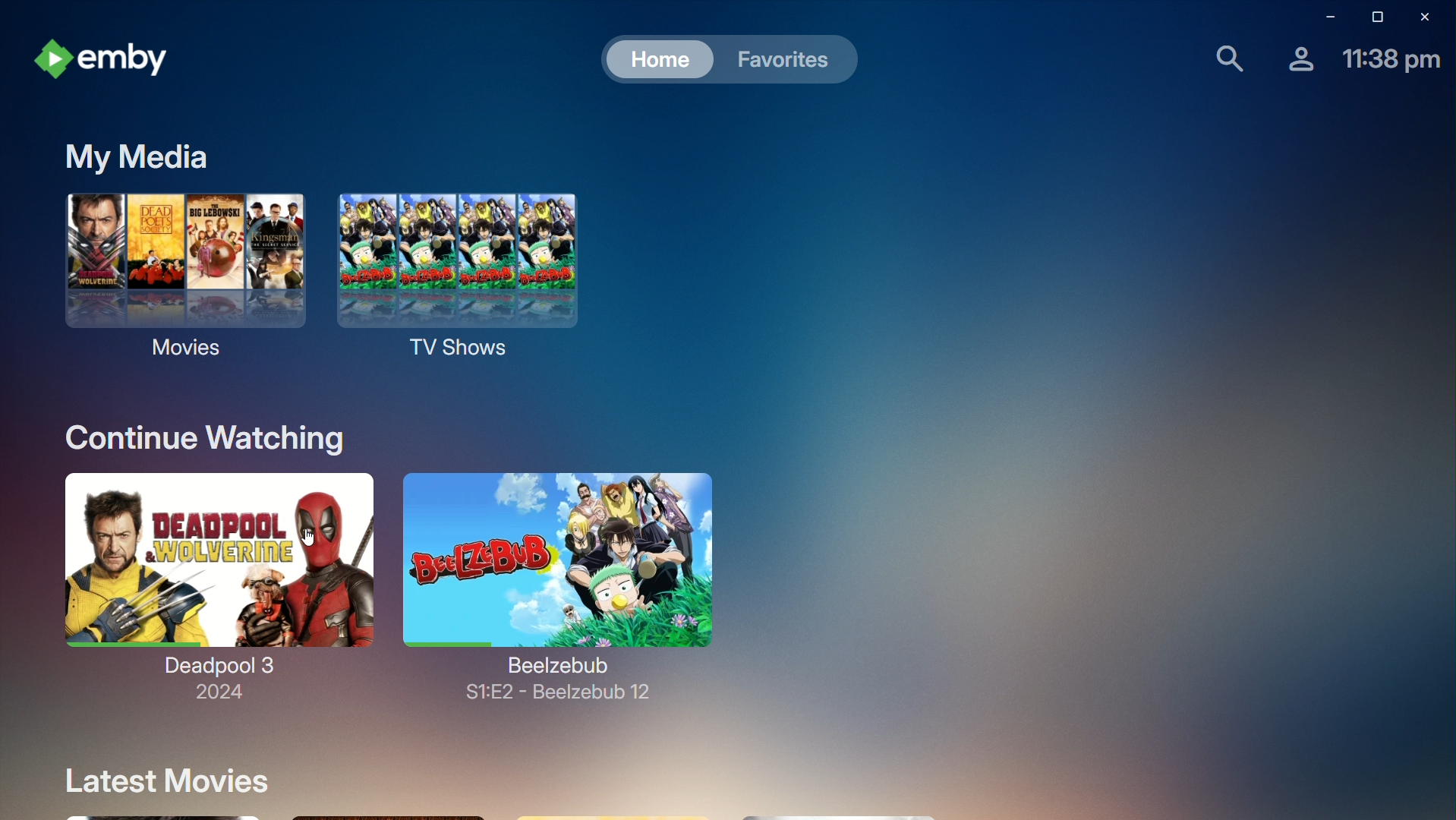  I want to click on Minimize, so click(1323, 19).